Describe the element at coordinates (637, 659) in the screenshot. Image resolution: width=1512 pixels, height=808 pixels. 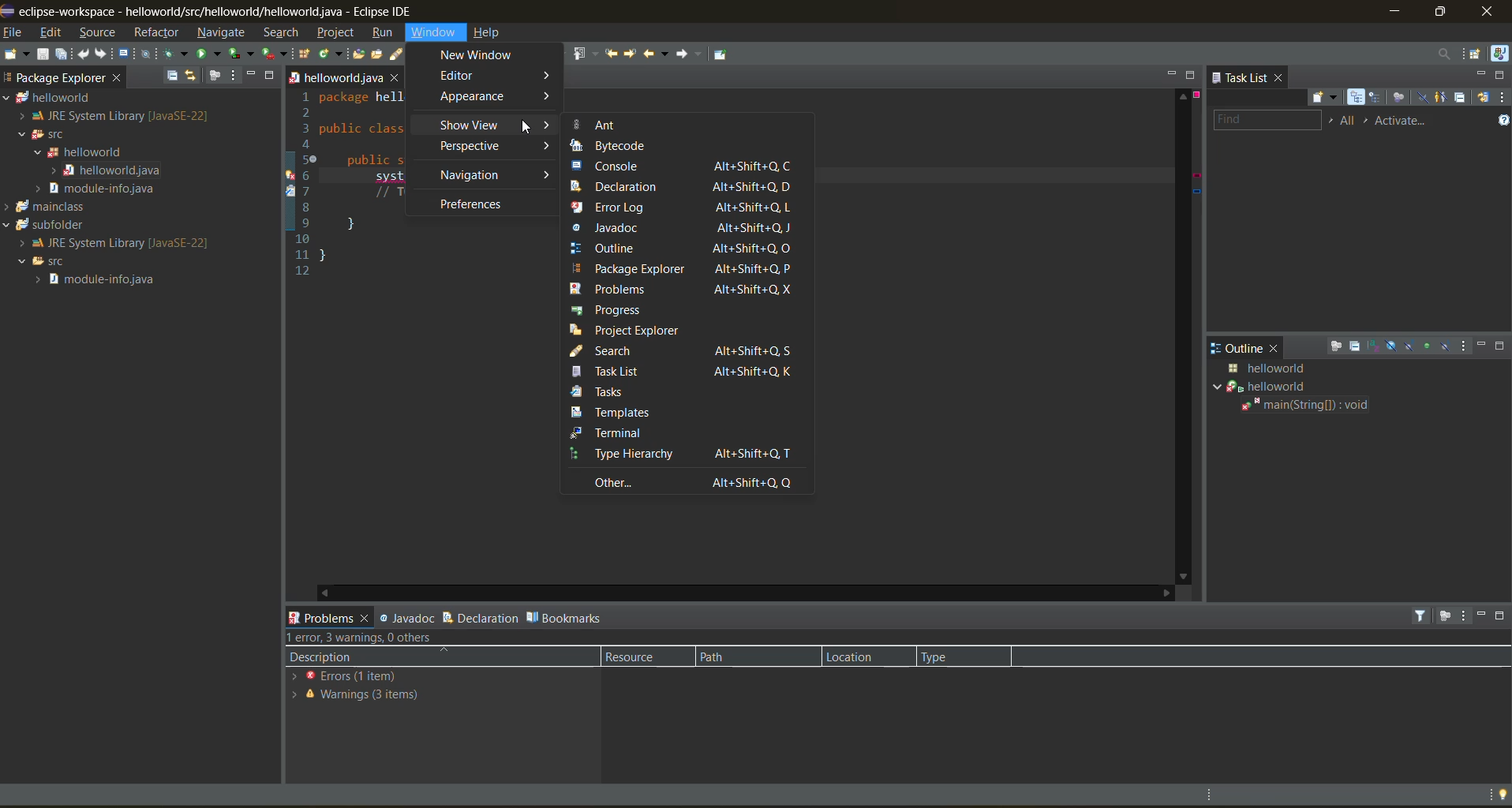
I see `resource` at that location.